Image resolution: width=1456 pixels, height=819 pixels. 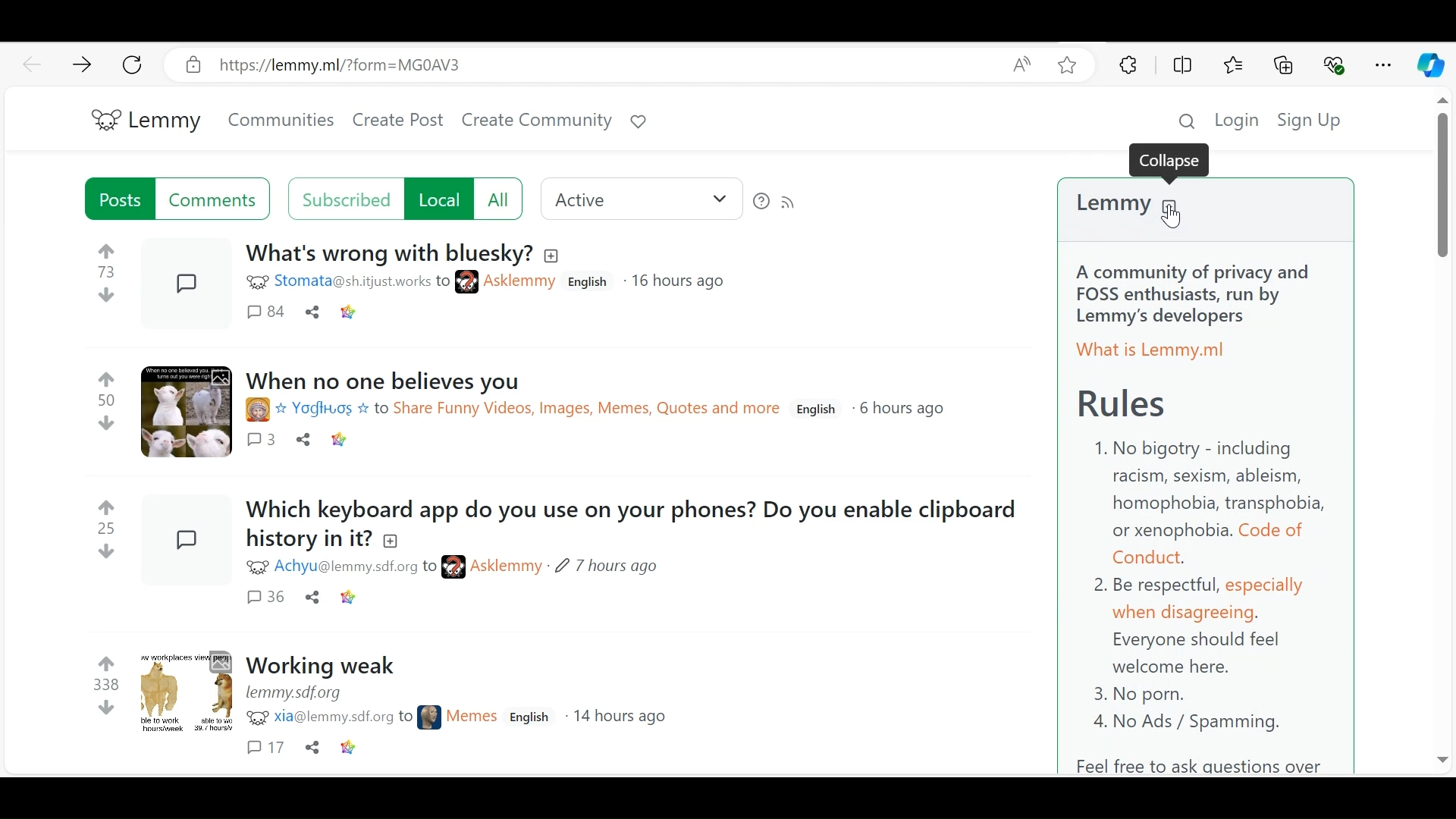 I want to click on Read aloud this page, so click(x=1021, y=65).